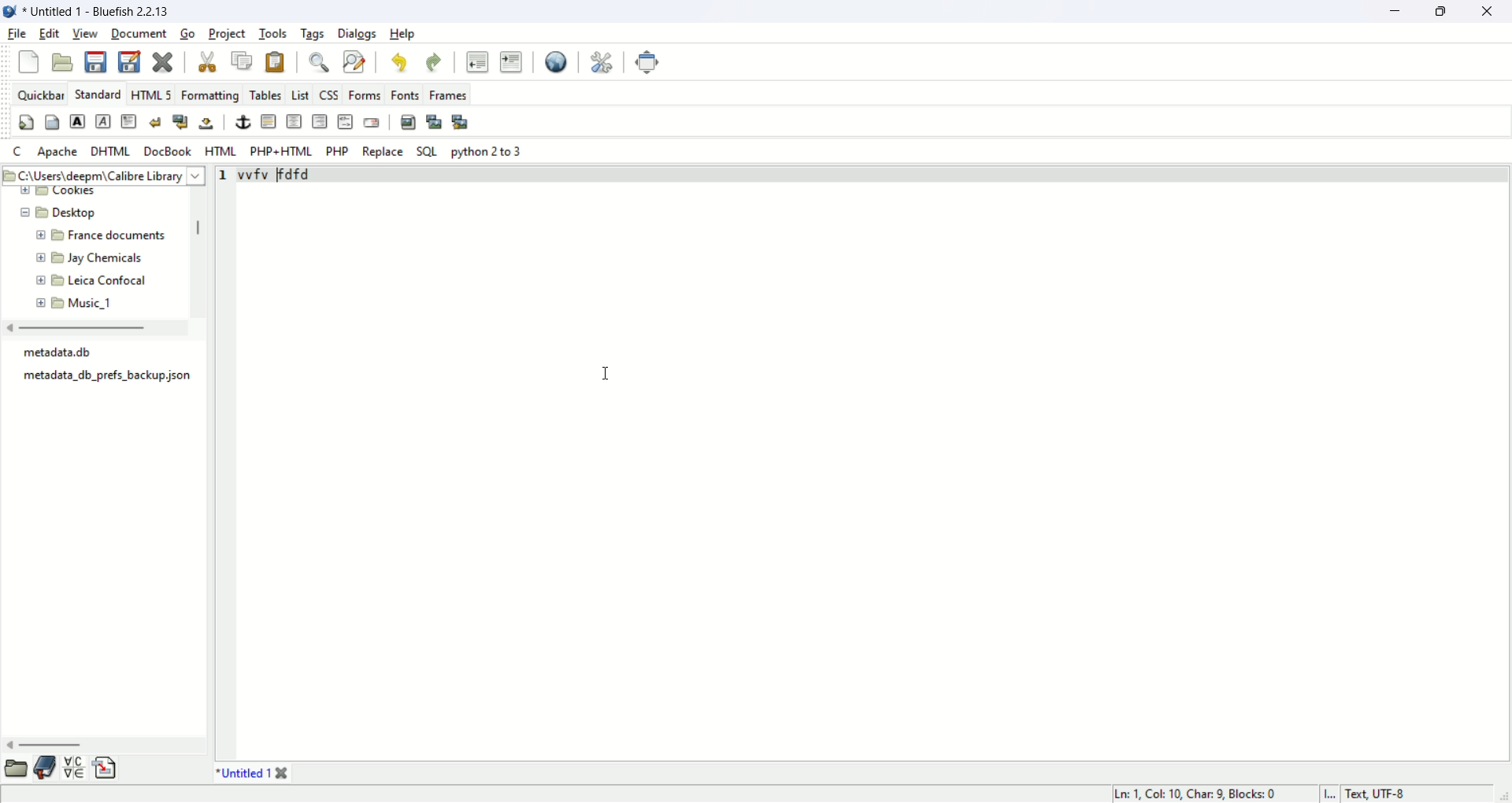 This screenshot has width=1512, height=803. What do you see at coordinates (479, 62) in the screenshot?
I see `unindent` at bounding box center [479, 62].